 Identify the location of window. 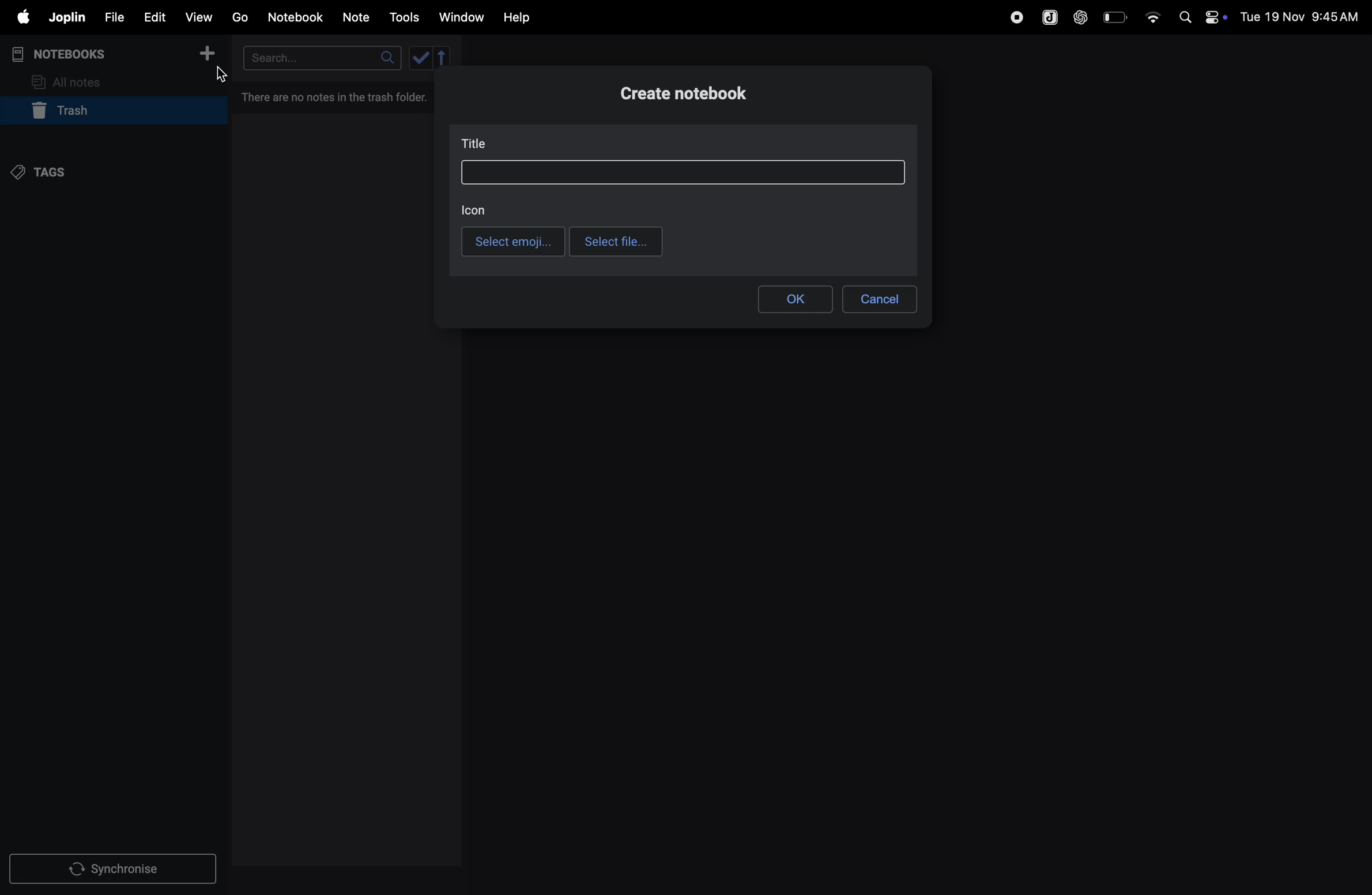
(462, 17).